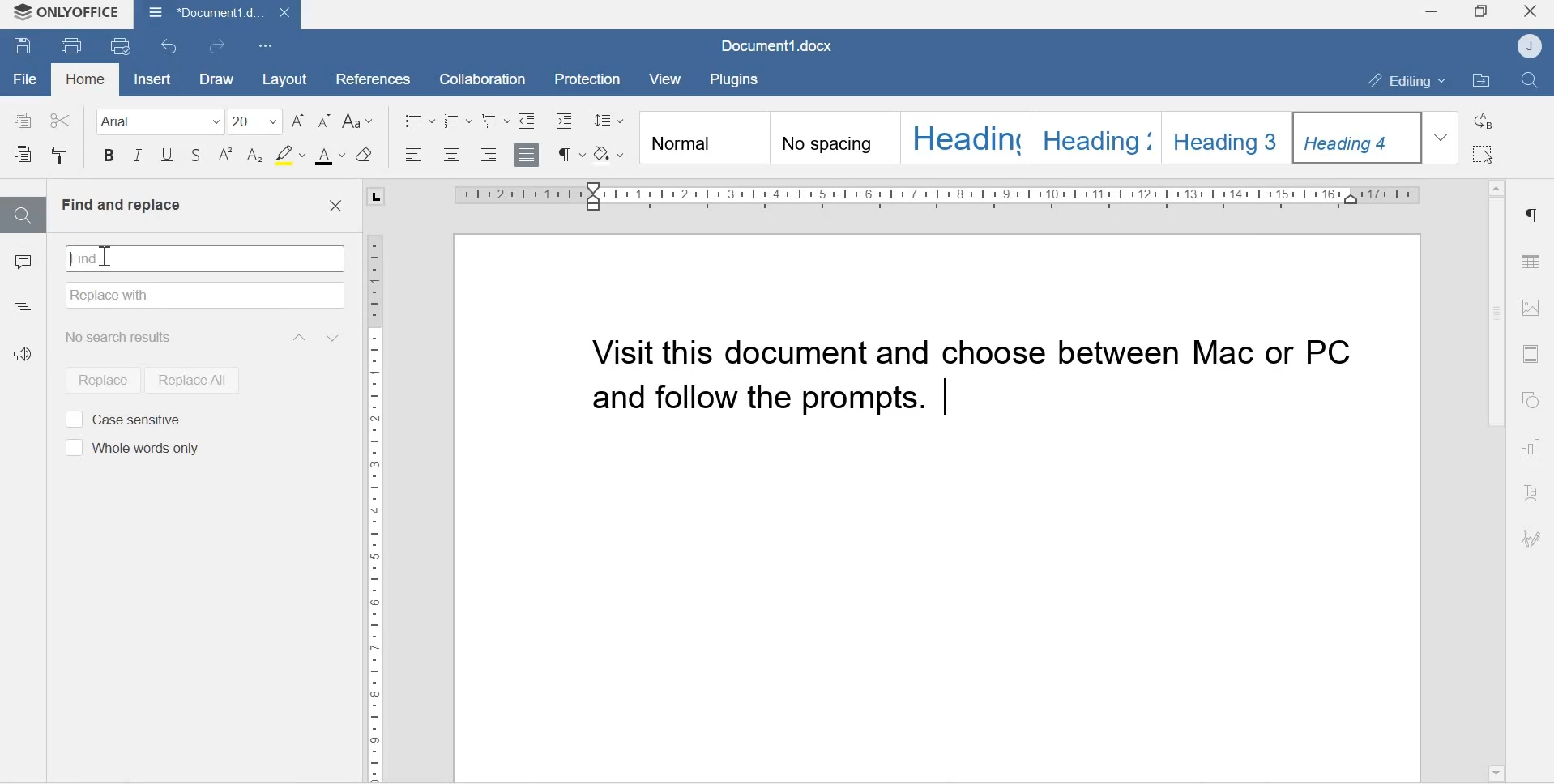 This screenshot has height=784, width=1554. Describe the element at coordinates (568, 120) in the screenshot. I see `Decrease Indent` at that location.